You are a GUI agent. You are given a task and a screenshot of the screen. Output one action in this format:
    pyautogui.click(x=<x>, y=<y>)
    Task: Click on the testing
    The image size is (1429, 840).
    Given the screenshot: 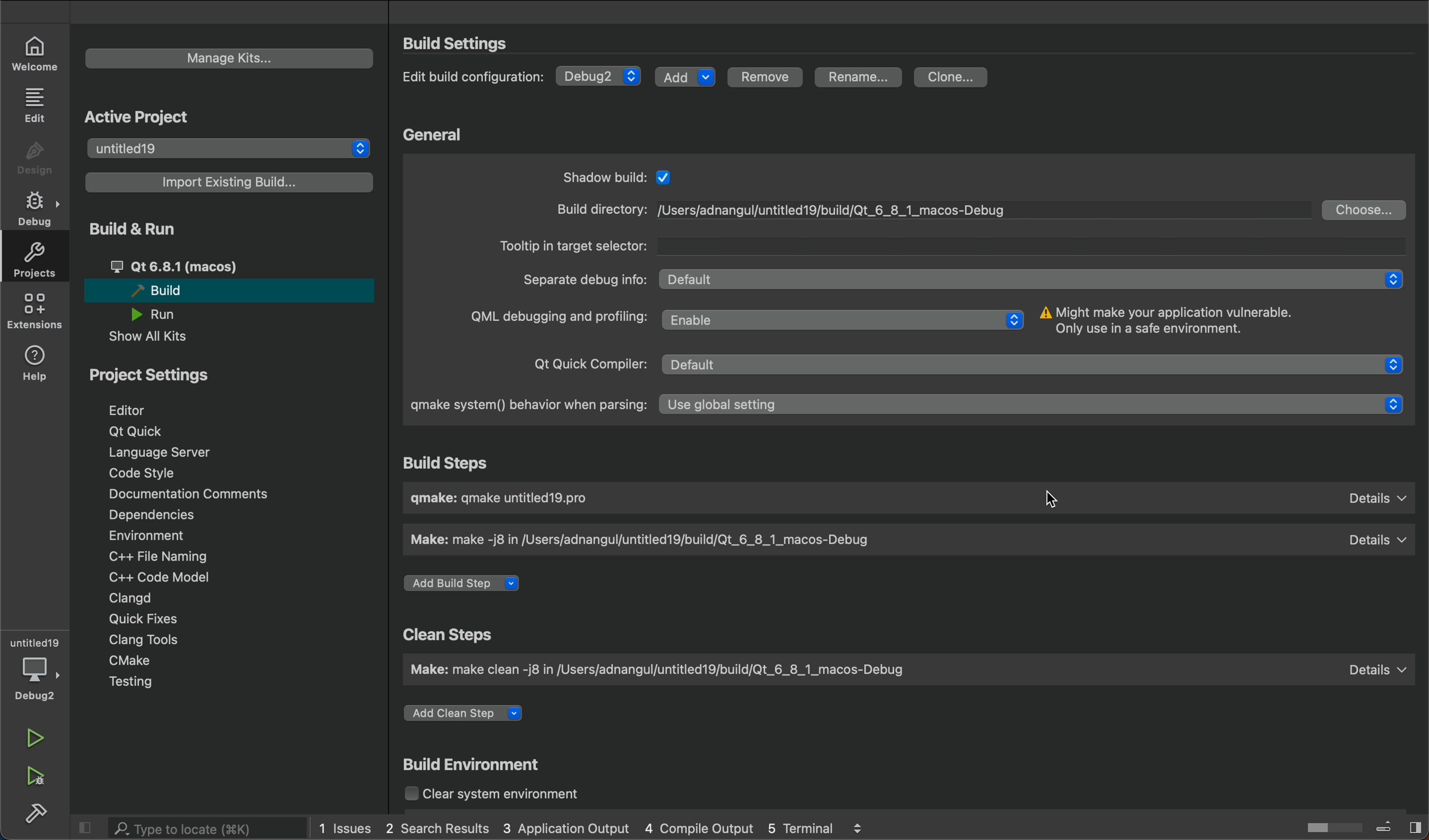 What is the action you would take?
    pyautogui.click(x=145, y=684)
    